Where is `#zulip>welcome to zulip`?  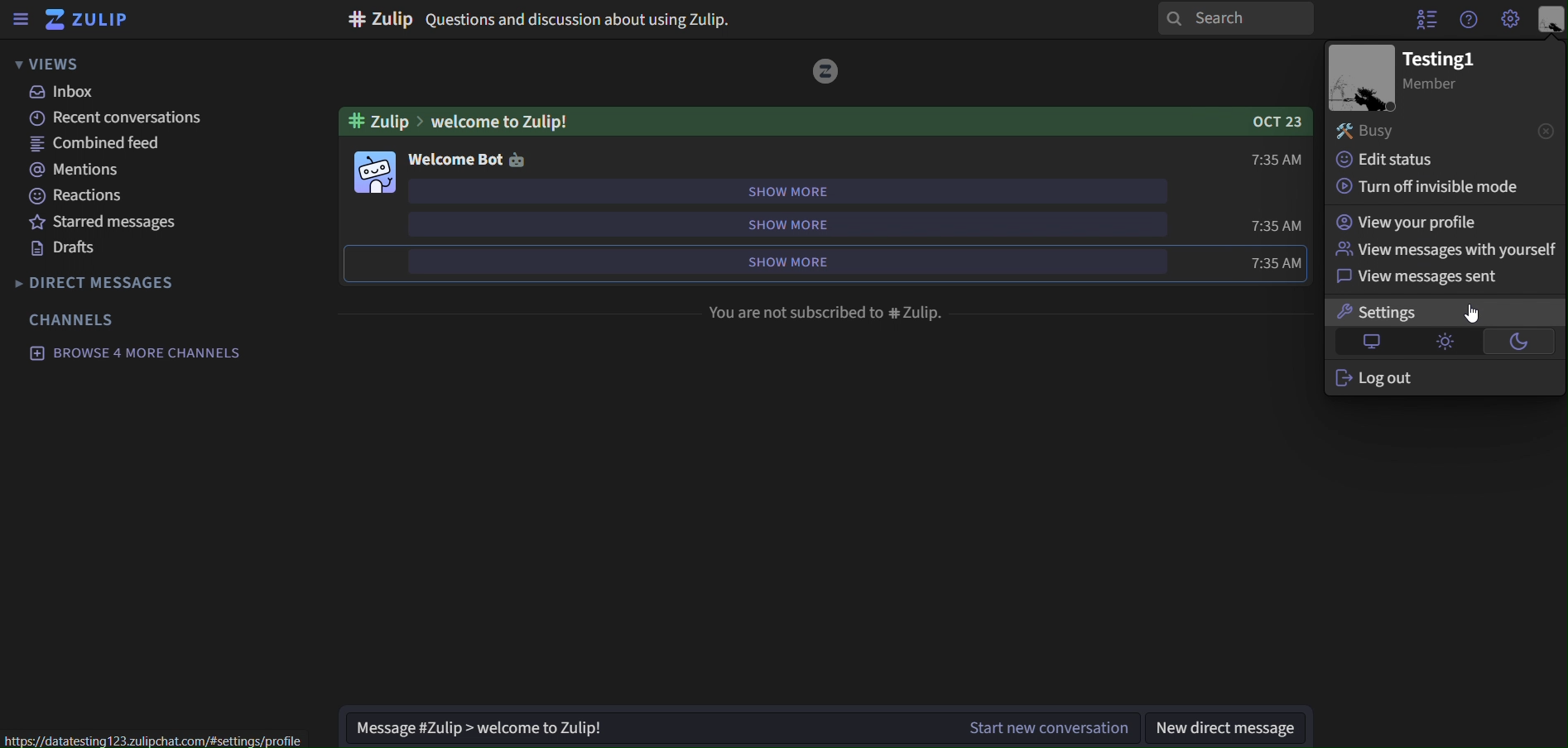
#zulip>welcome to zulip is located at coordinates (827, 122).